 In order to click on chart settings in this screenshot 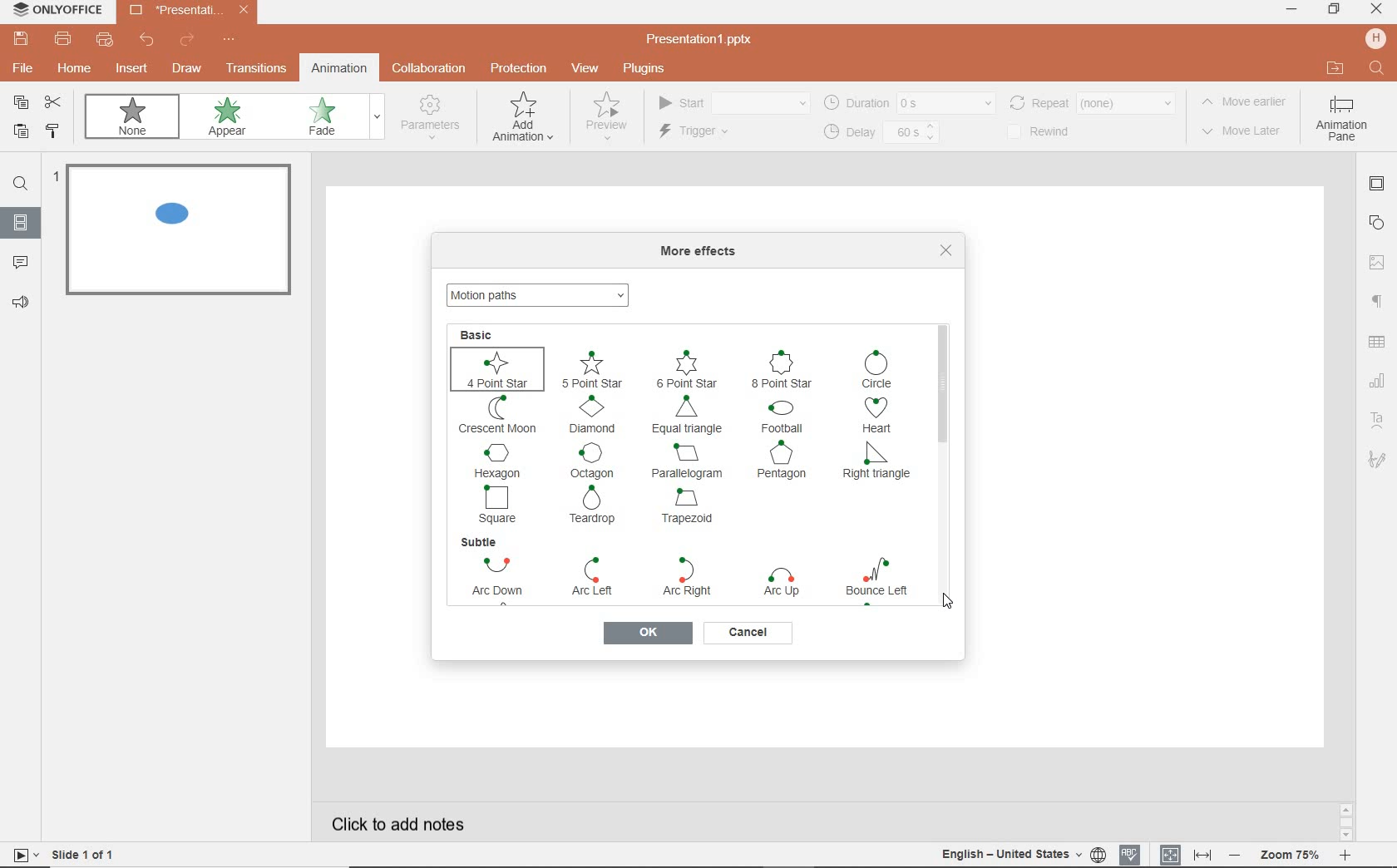, I will do `click(1377, 382)`.